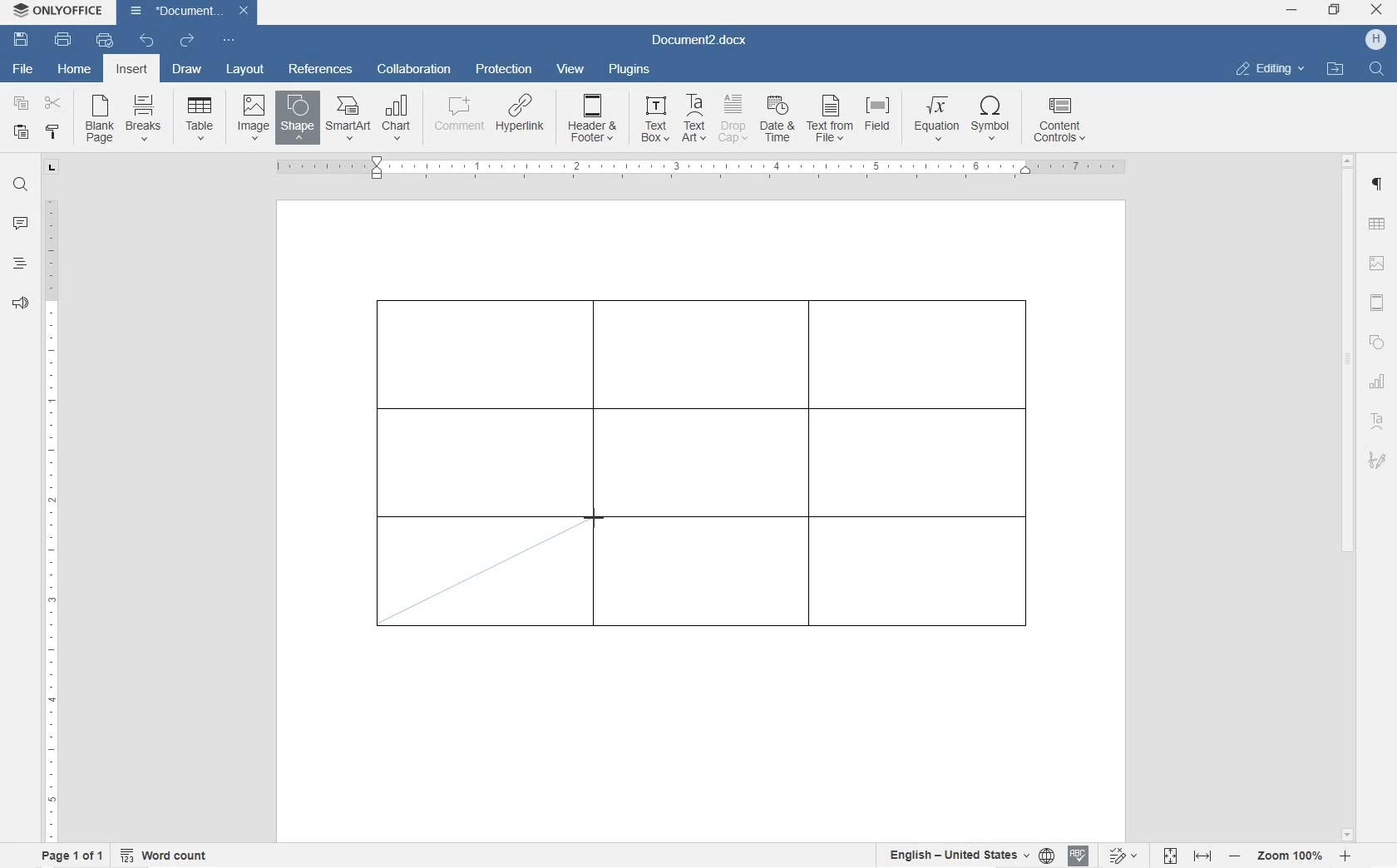 Image resolution: width=1397 pixels, height=868 pixels. Describe the element at coordinates (1057, 122) in the screenshot. I see `CONTENT CONTROLS` at that location.